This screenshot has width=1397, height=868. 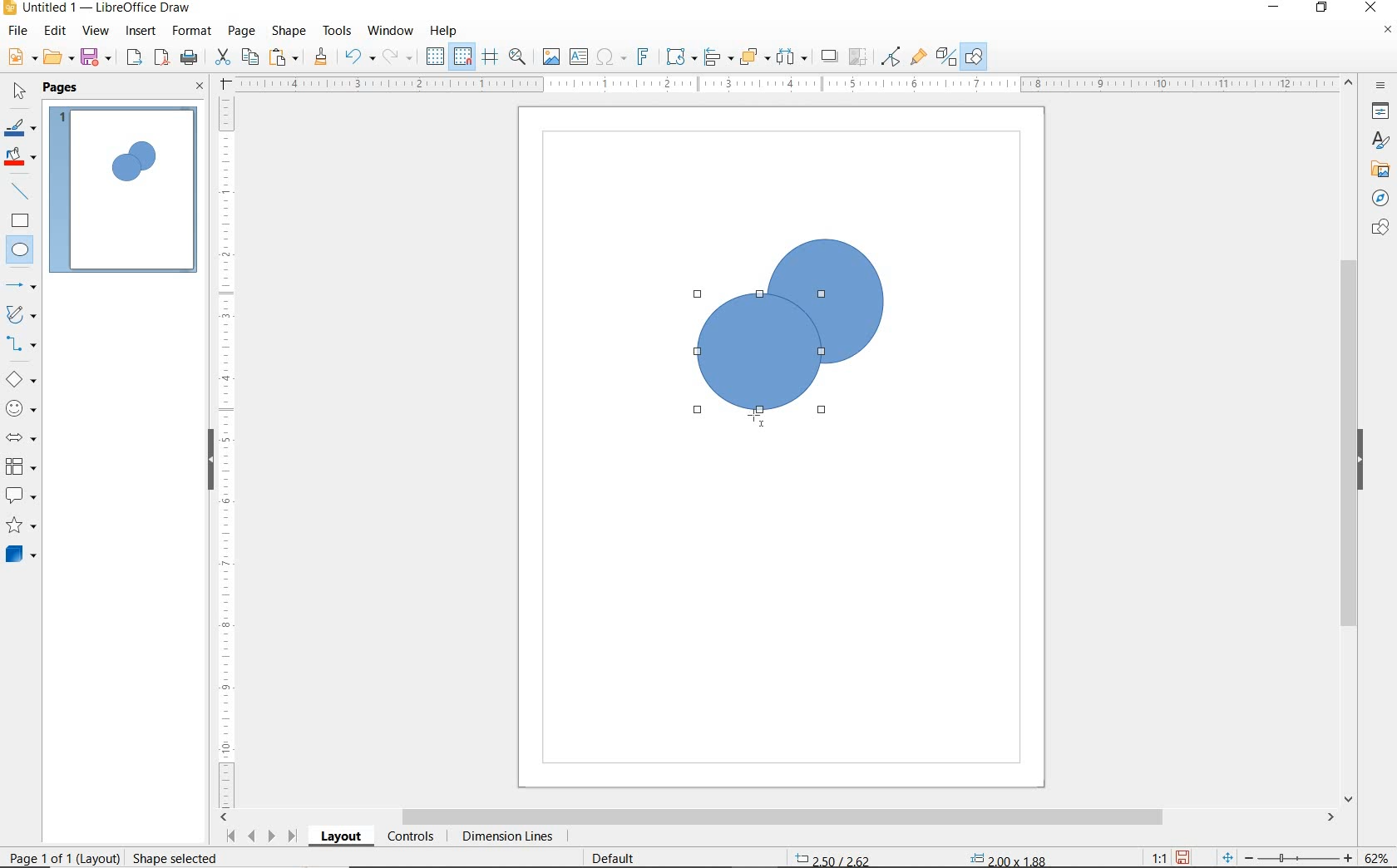 I want to click on RULER, so click(x=228, y=450).